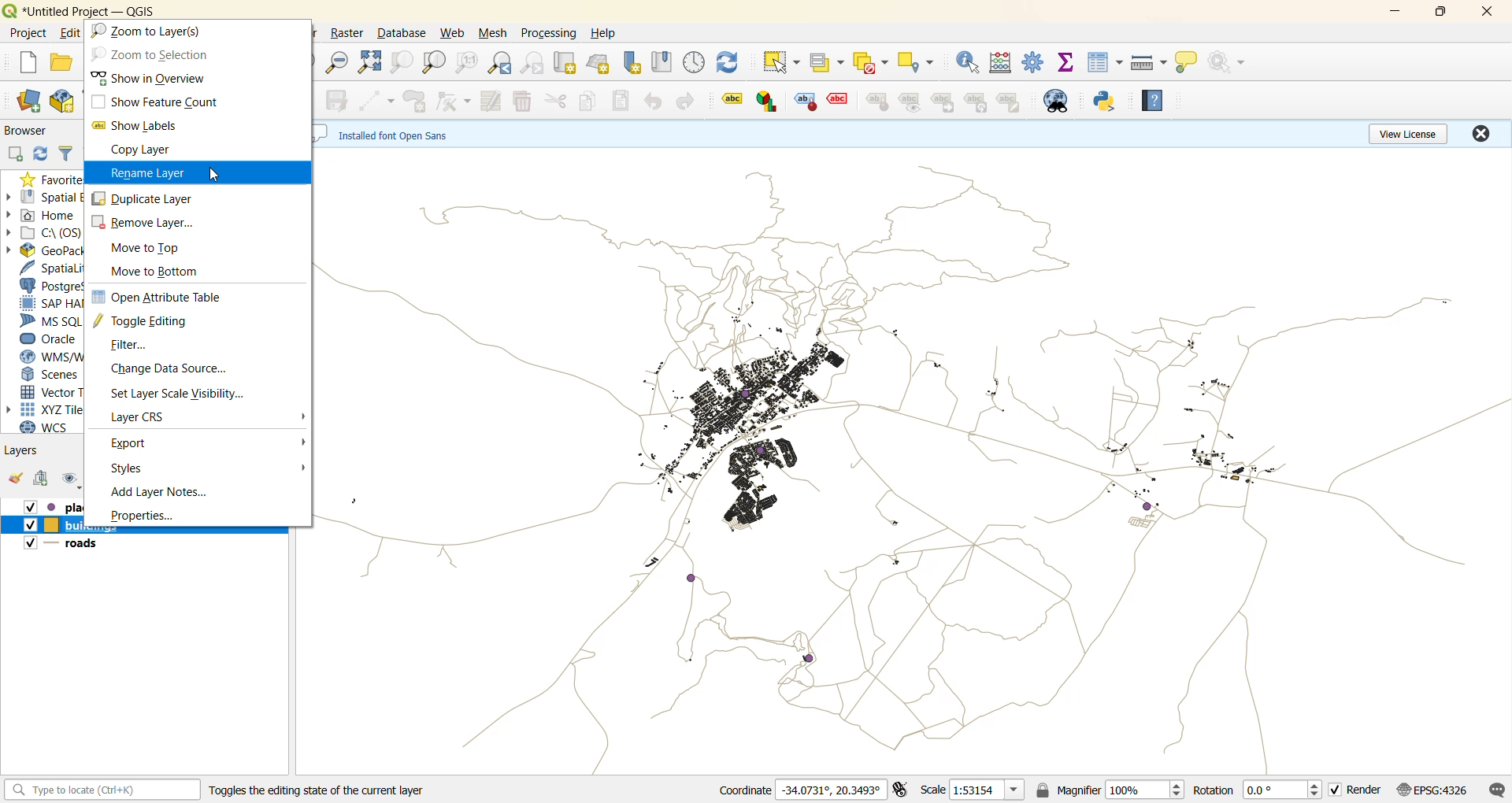 The width and height of the screenshot is (1512, 803). What do you see at coordinates (551, 31) in the screenshot?
I see `processing` at bounding box center [551, 31].